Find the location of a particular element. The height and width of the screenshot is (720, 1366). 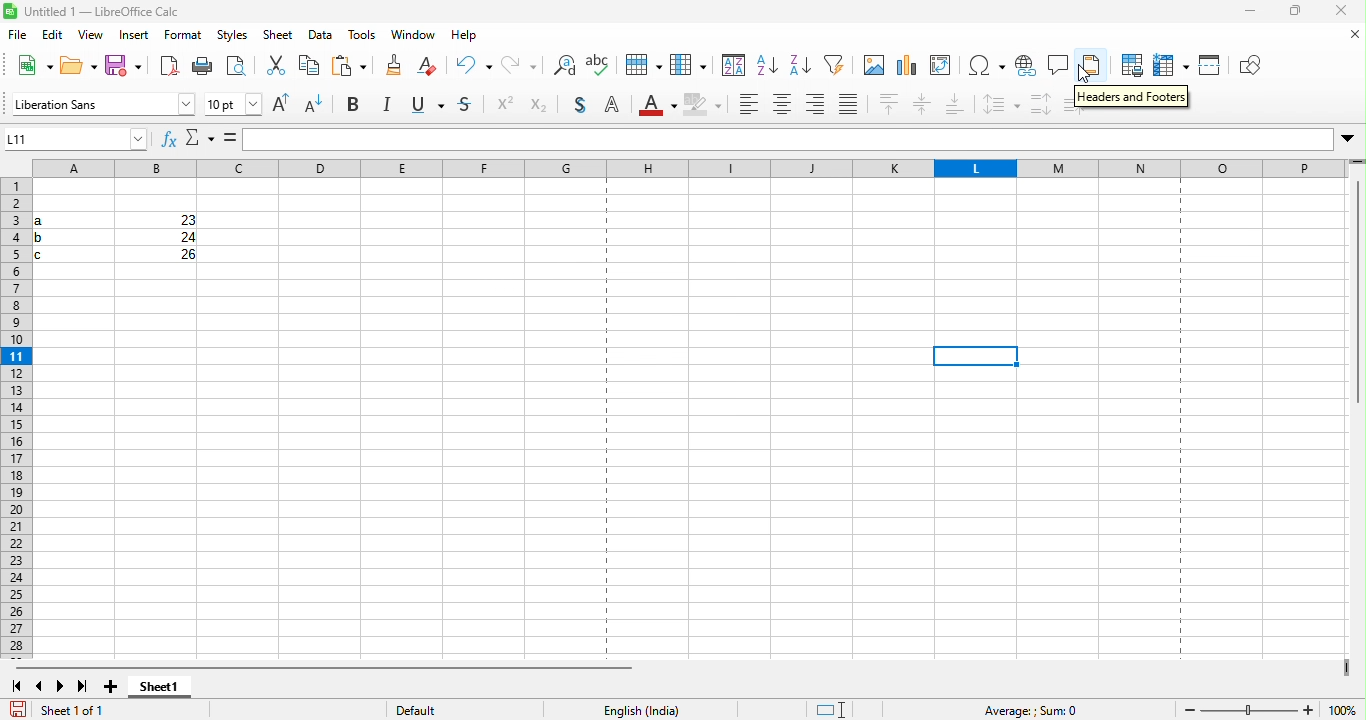

sort ascending is located at coordinates (730, 66).